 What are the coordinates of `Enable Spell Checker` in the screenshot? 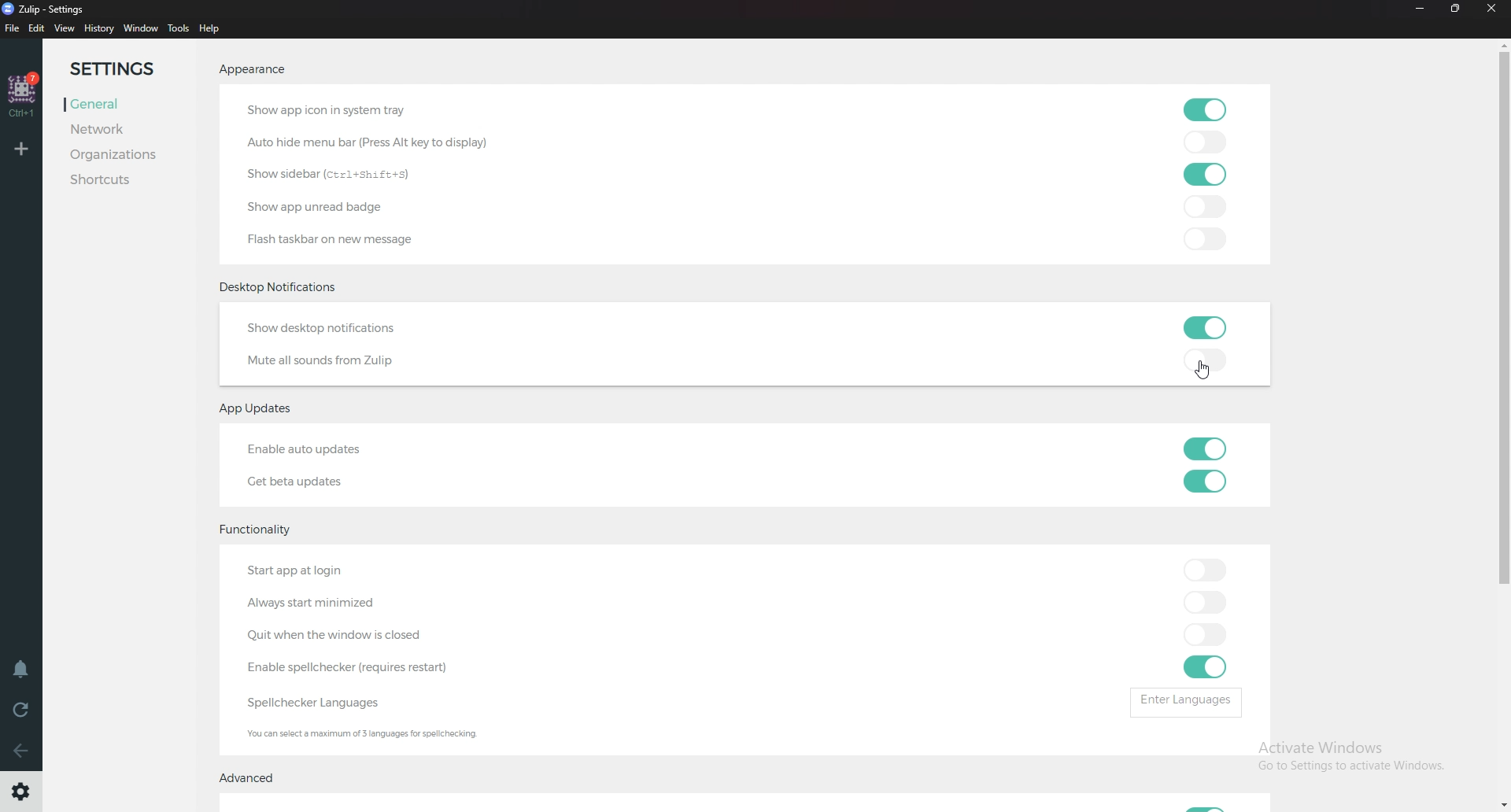 It's located at (375, 665).